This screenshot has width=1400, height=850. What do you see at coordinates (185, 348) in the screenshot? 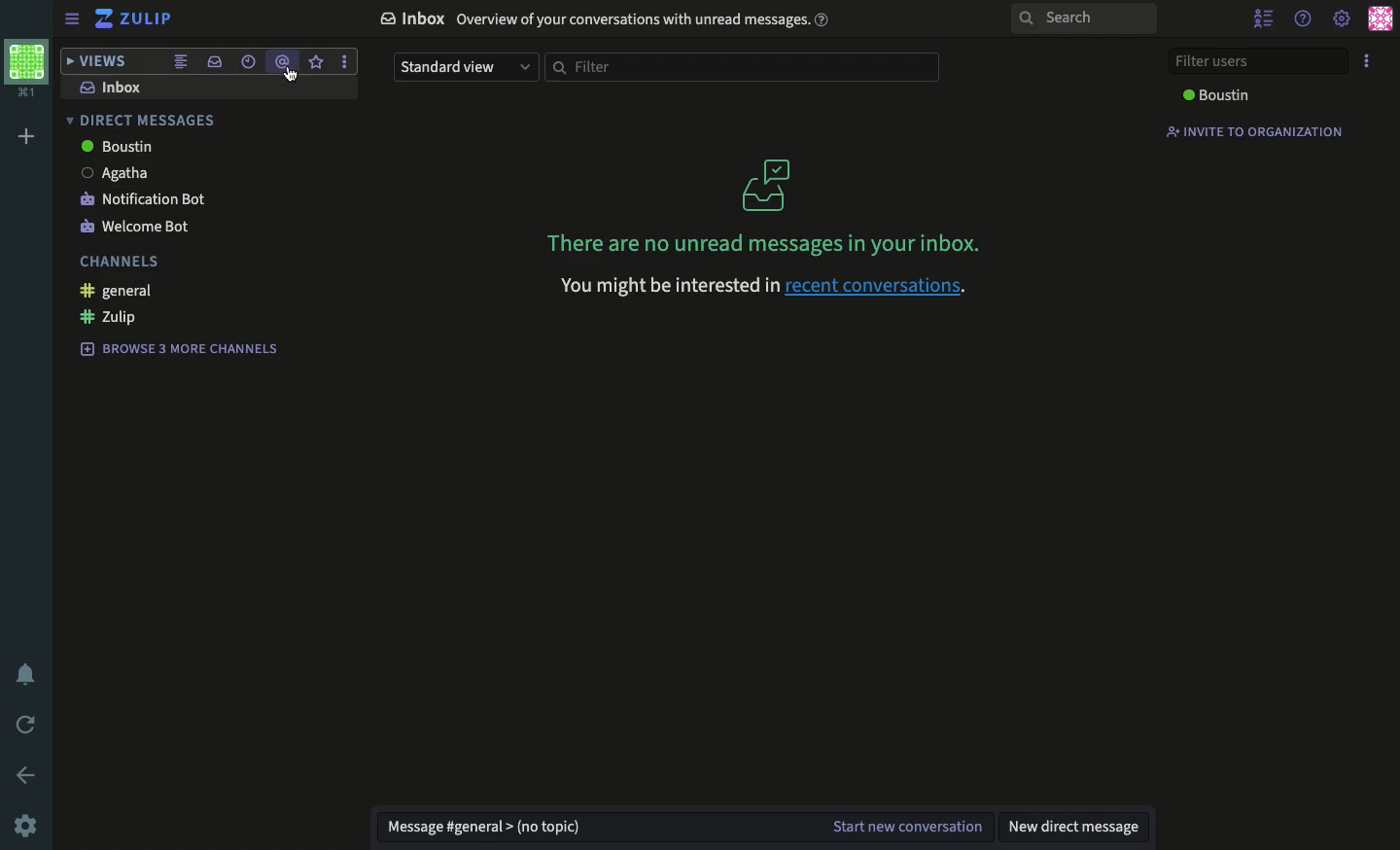
I see `browse 3 more channels` at bounding box center [185, 348].